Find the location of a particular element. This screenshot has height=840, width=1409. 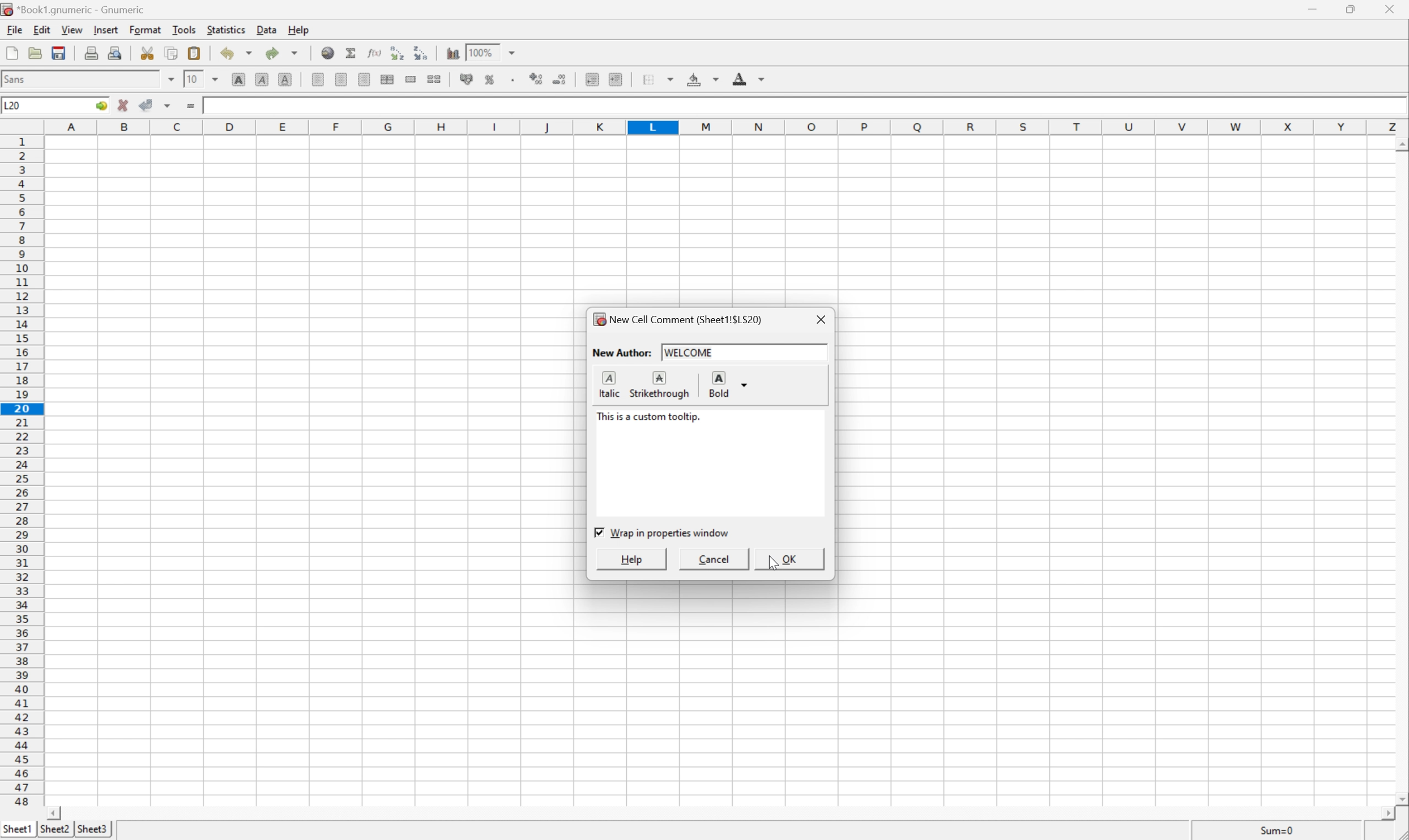

Set the format of the selected cells to include a thousands separator is located at coordinates (514, 79).